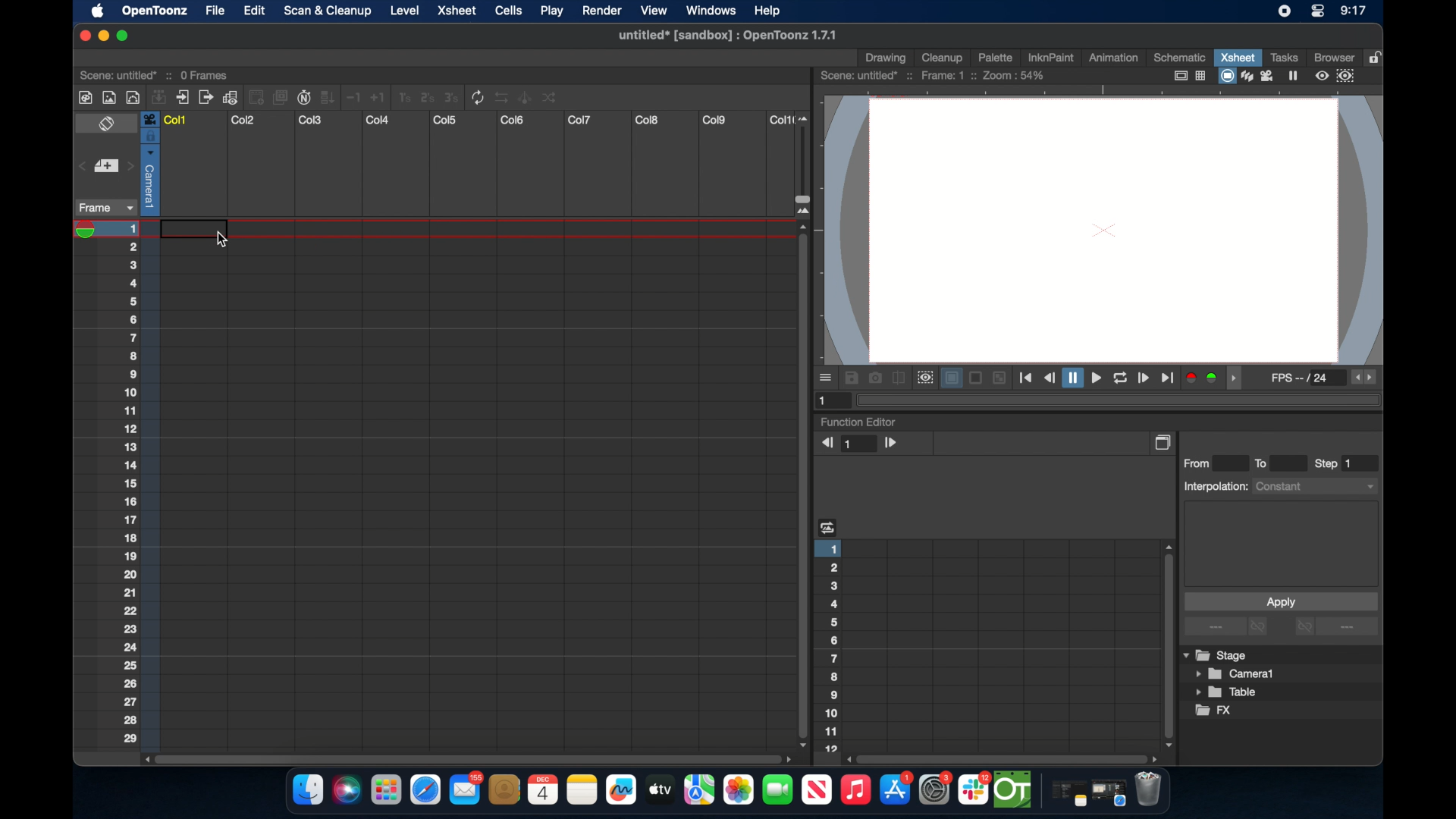 The width and height of the screenshot is (1456, 819). Describe the element at coordinates (1004, 758) in the screenshot. I see `scroll box` at that location.